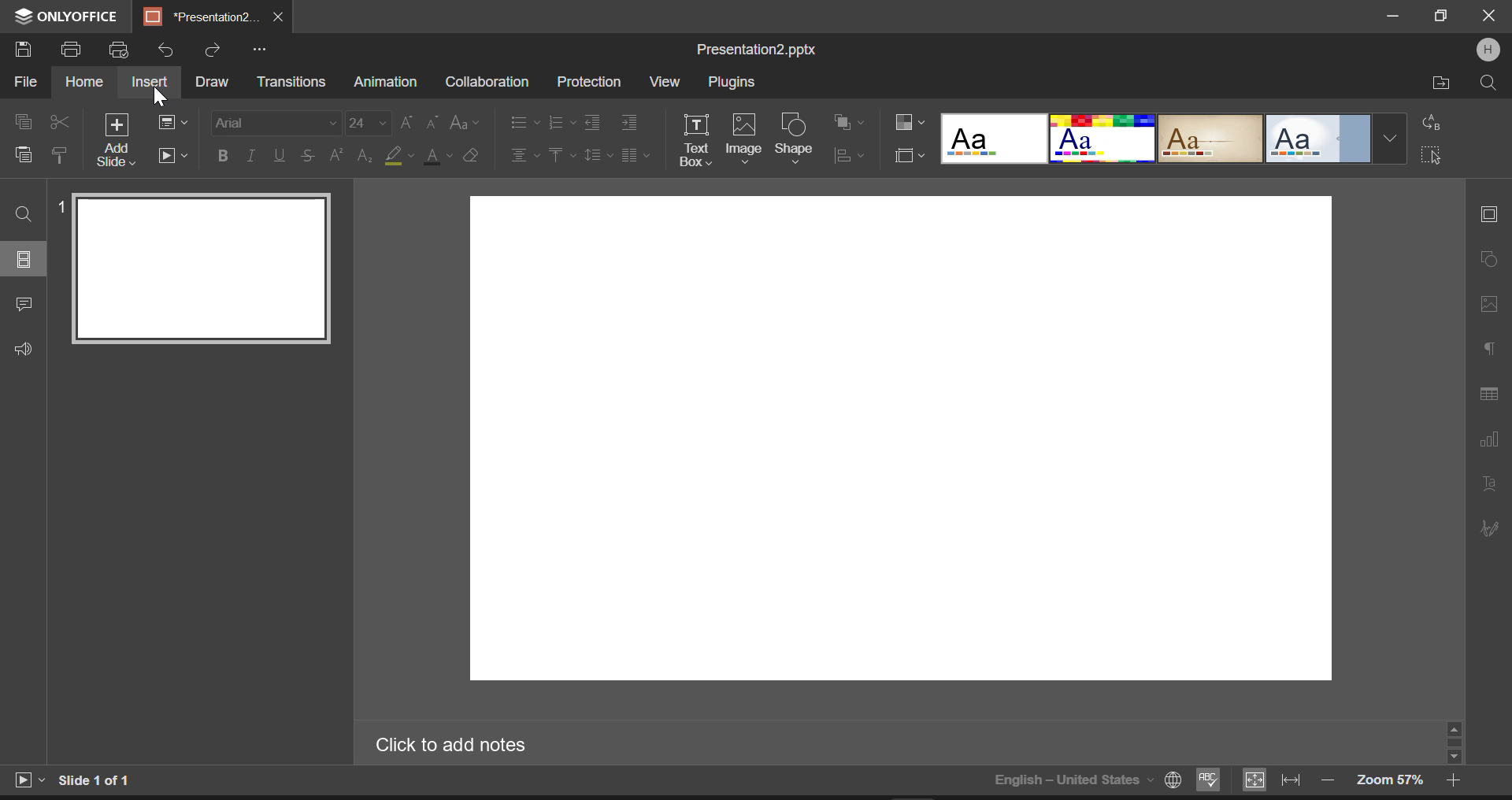  What do you see at coordinates (275, 120) in the screenshot?
I see `Font Style: Arial` at bounding box center [275, 120].